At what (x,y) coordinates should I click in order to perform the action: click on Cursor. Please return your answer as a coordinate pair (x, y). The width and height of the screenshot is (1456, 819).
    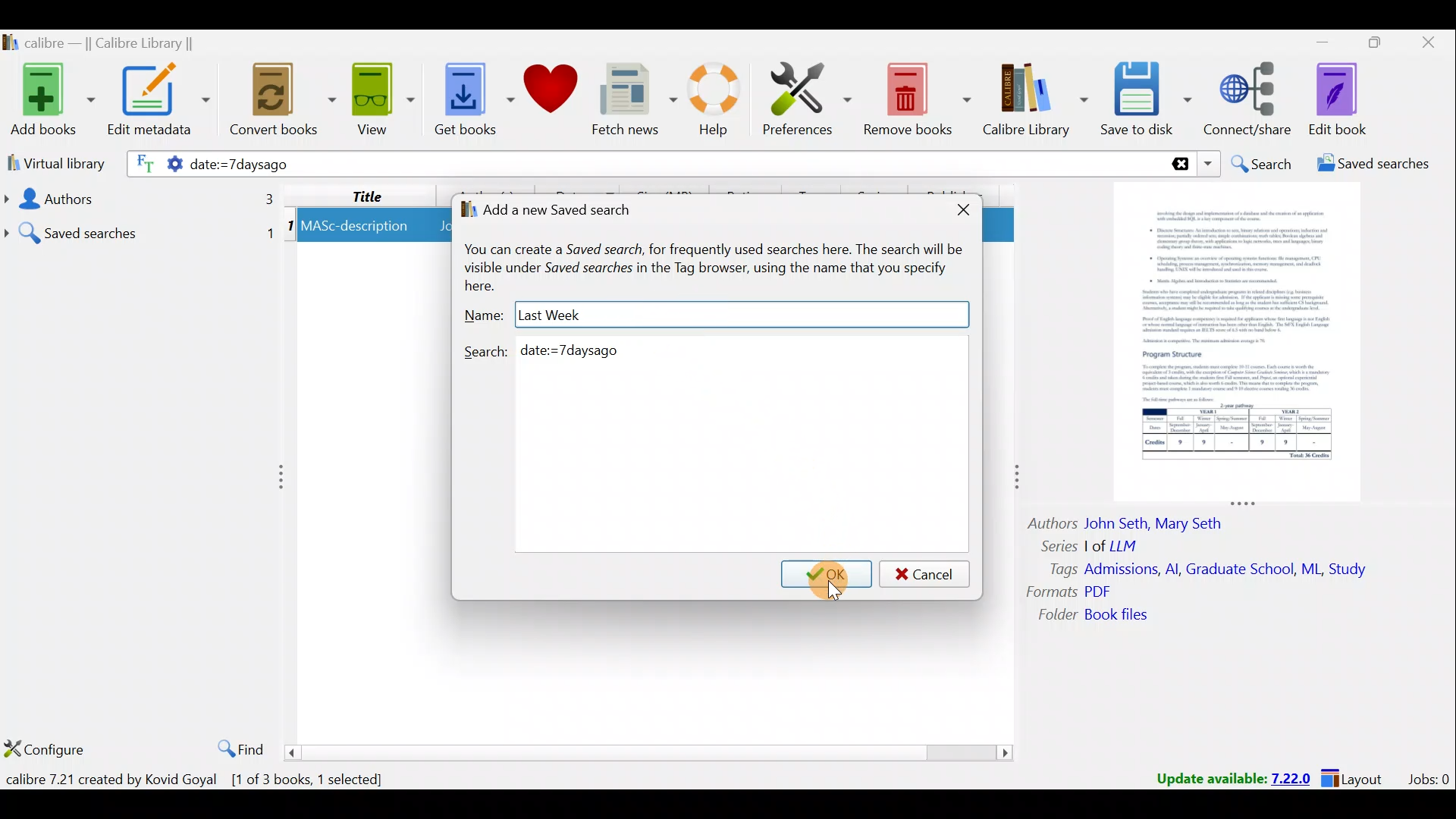
    Looking at the image, I should click on (831, 573).